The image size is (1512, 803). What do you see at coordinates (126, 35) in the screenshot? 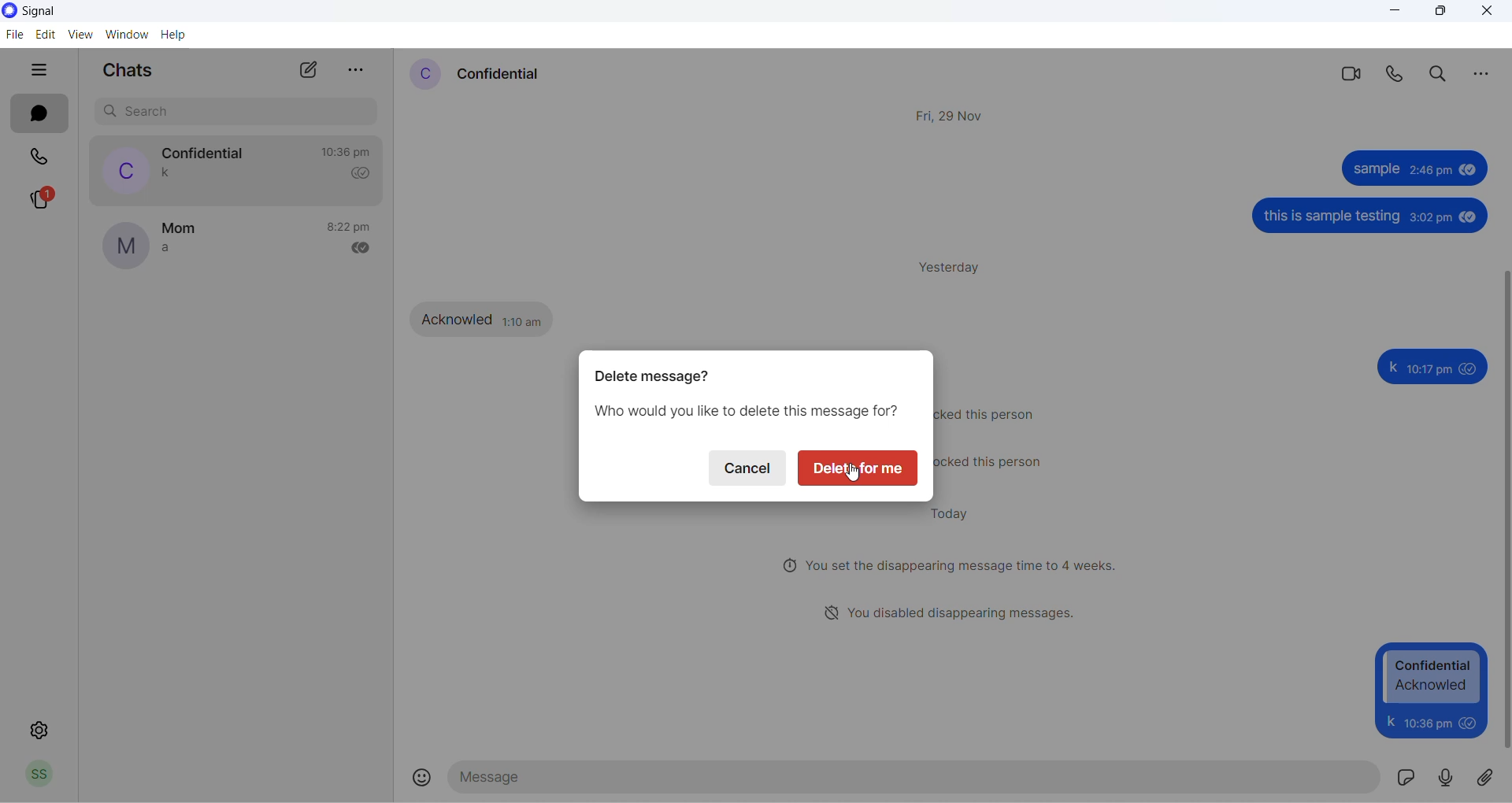
I see `Window` at bounding box center [126, 35].